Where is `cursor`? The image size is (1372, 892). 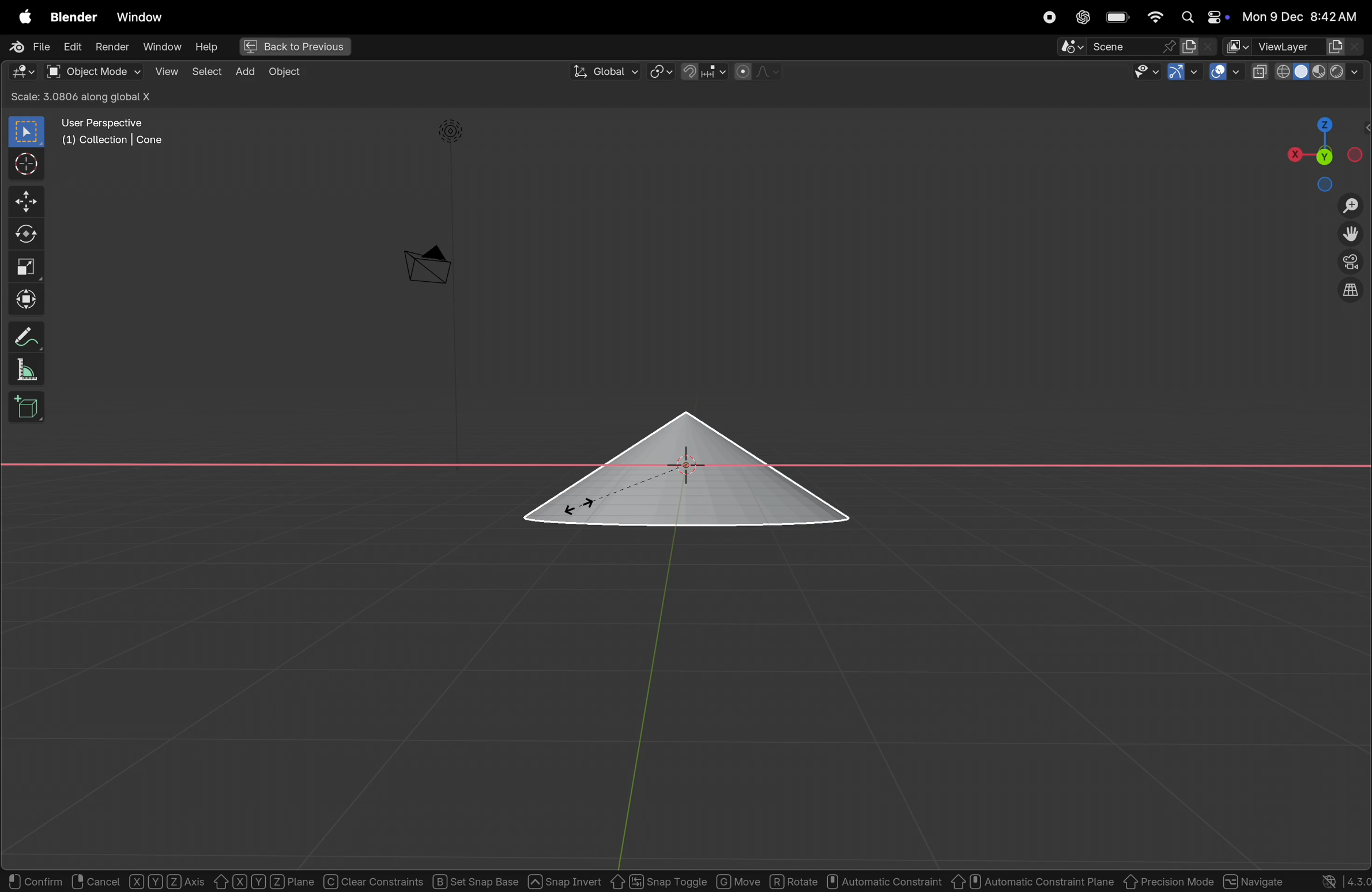
cursor is located at coordinates (22, 164).